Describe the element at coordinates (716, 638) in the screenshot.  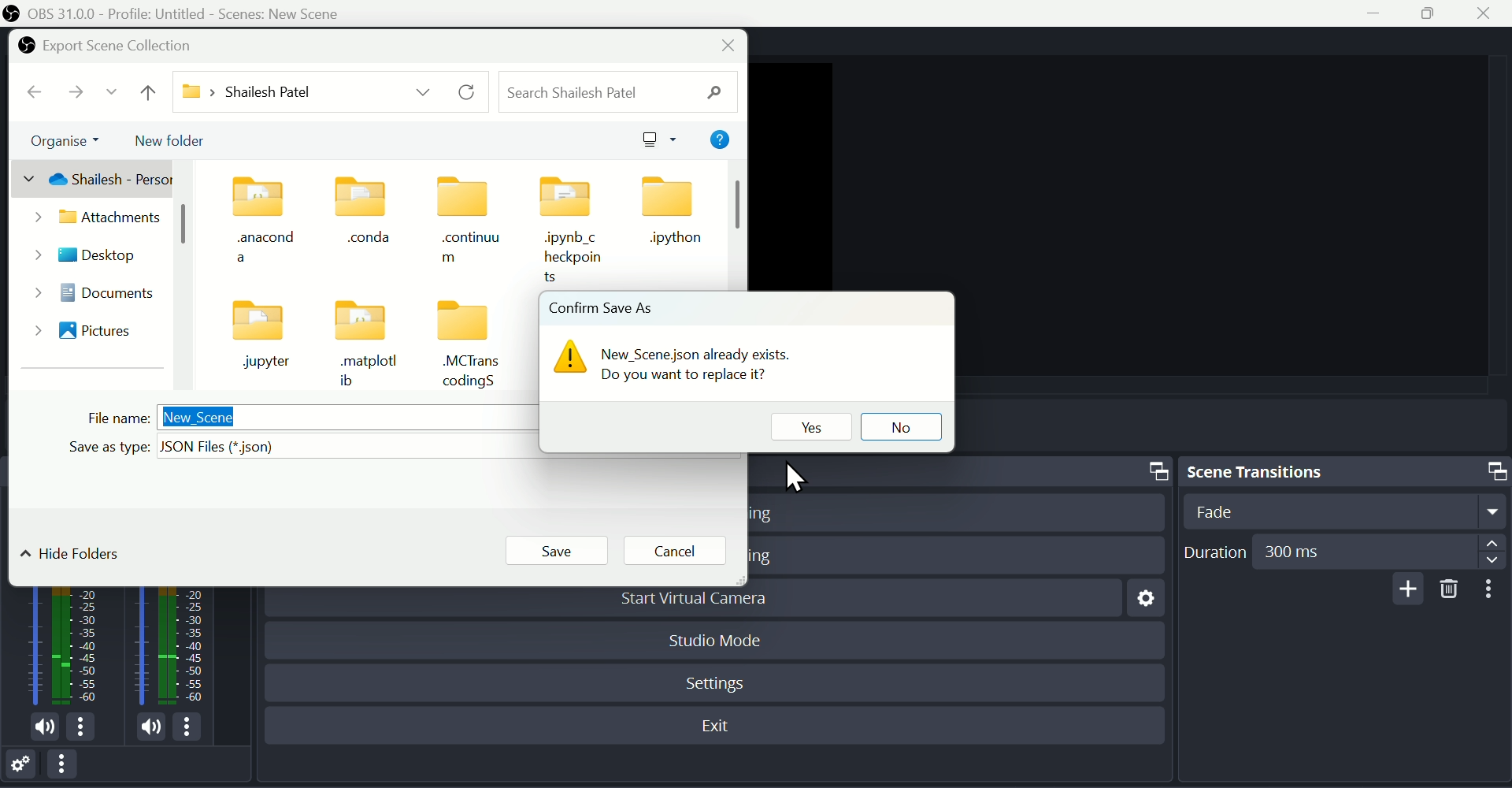
I see `Studio mode` at that location.